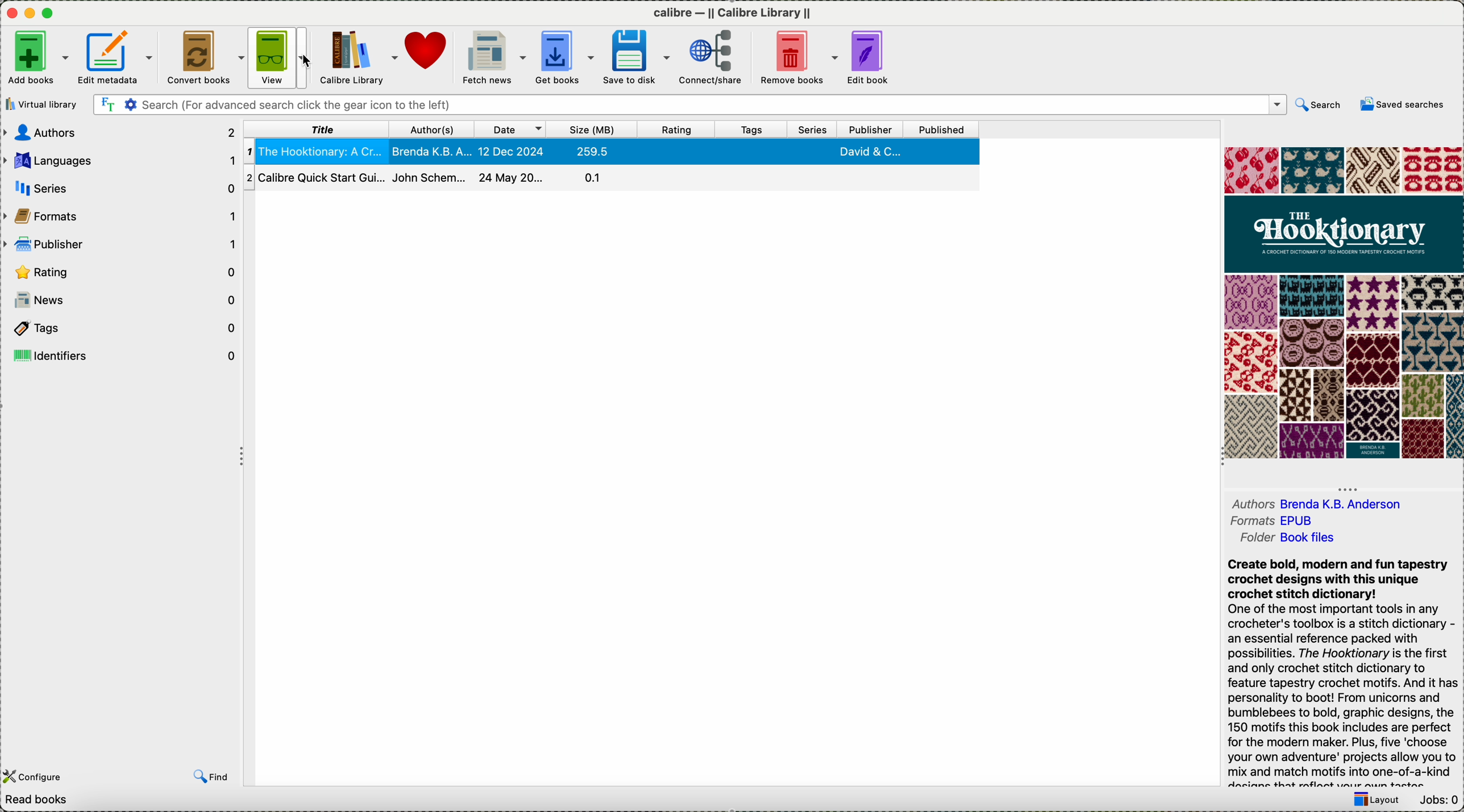 Image resolution: width=1464 pixels, height=812 pixels. Describe the element at coordinates (612, 151) in the screenshot. I see `first book selected` at that location.